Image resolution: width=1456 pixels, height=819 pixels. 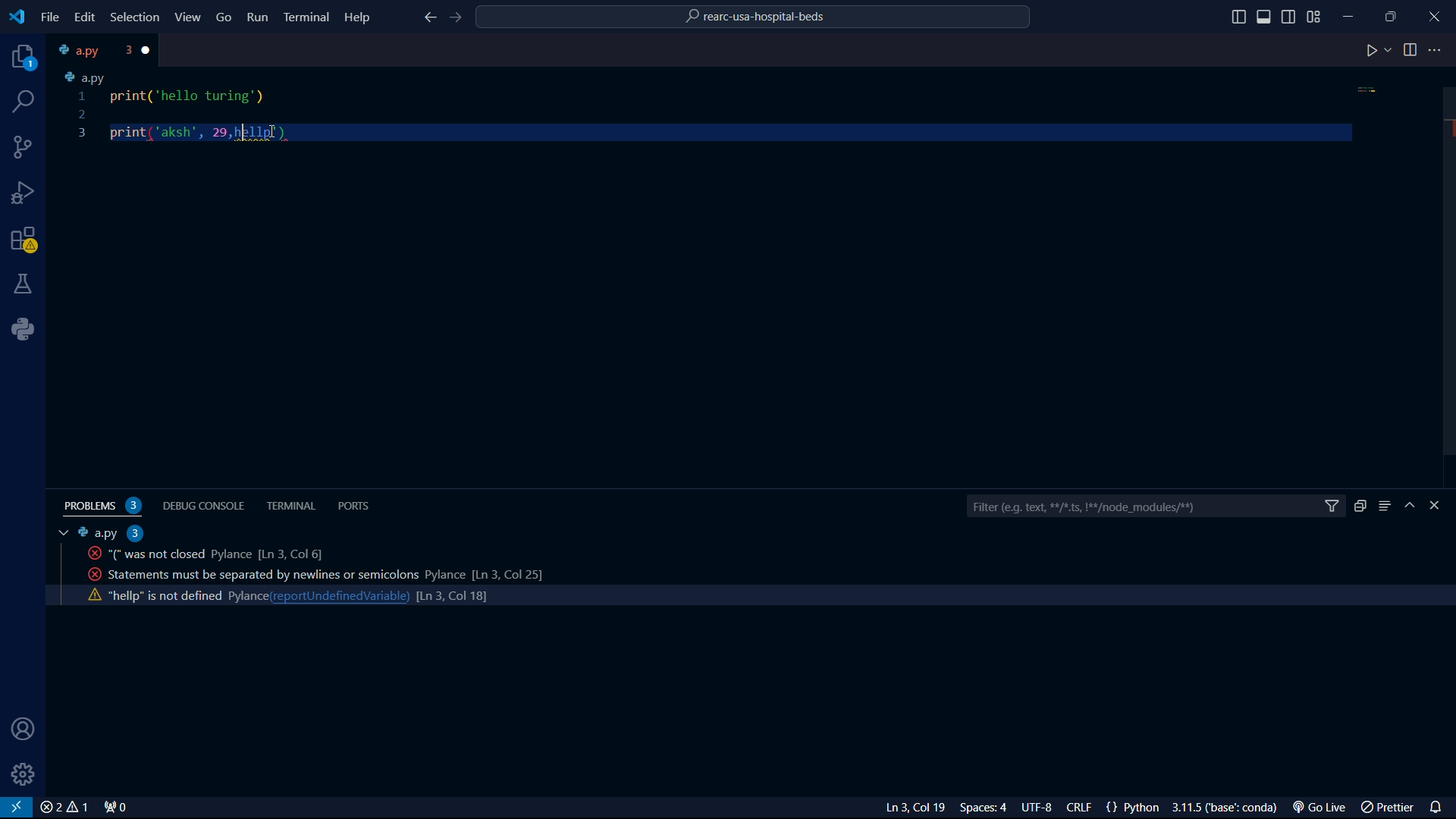 I want to click on tab, so click(x=59, y=533).